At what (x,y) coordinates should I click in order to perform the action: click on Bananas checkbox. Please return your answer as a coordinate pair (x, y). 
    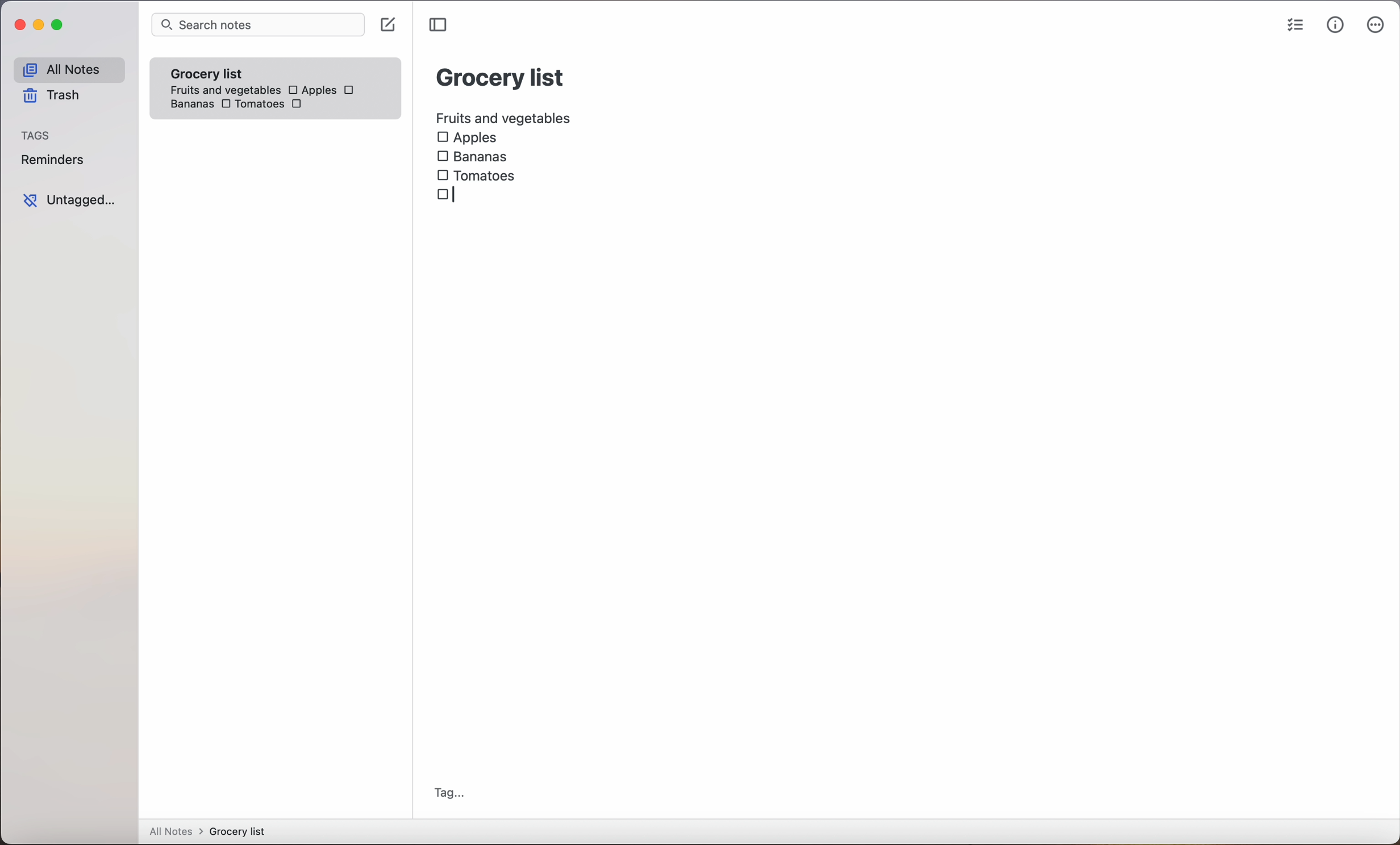
    Looking at the image, I should click on (474, 154).